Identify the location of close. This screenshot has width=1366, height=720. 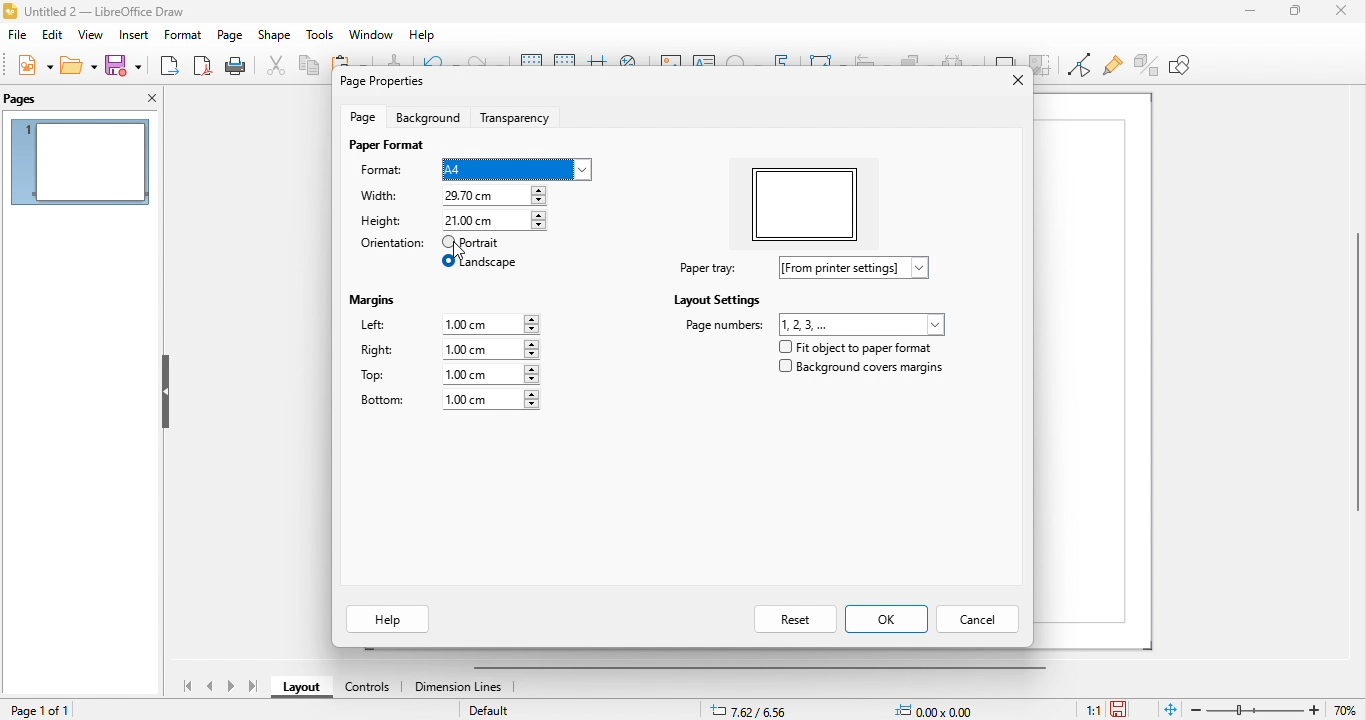
(1335, 14).